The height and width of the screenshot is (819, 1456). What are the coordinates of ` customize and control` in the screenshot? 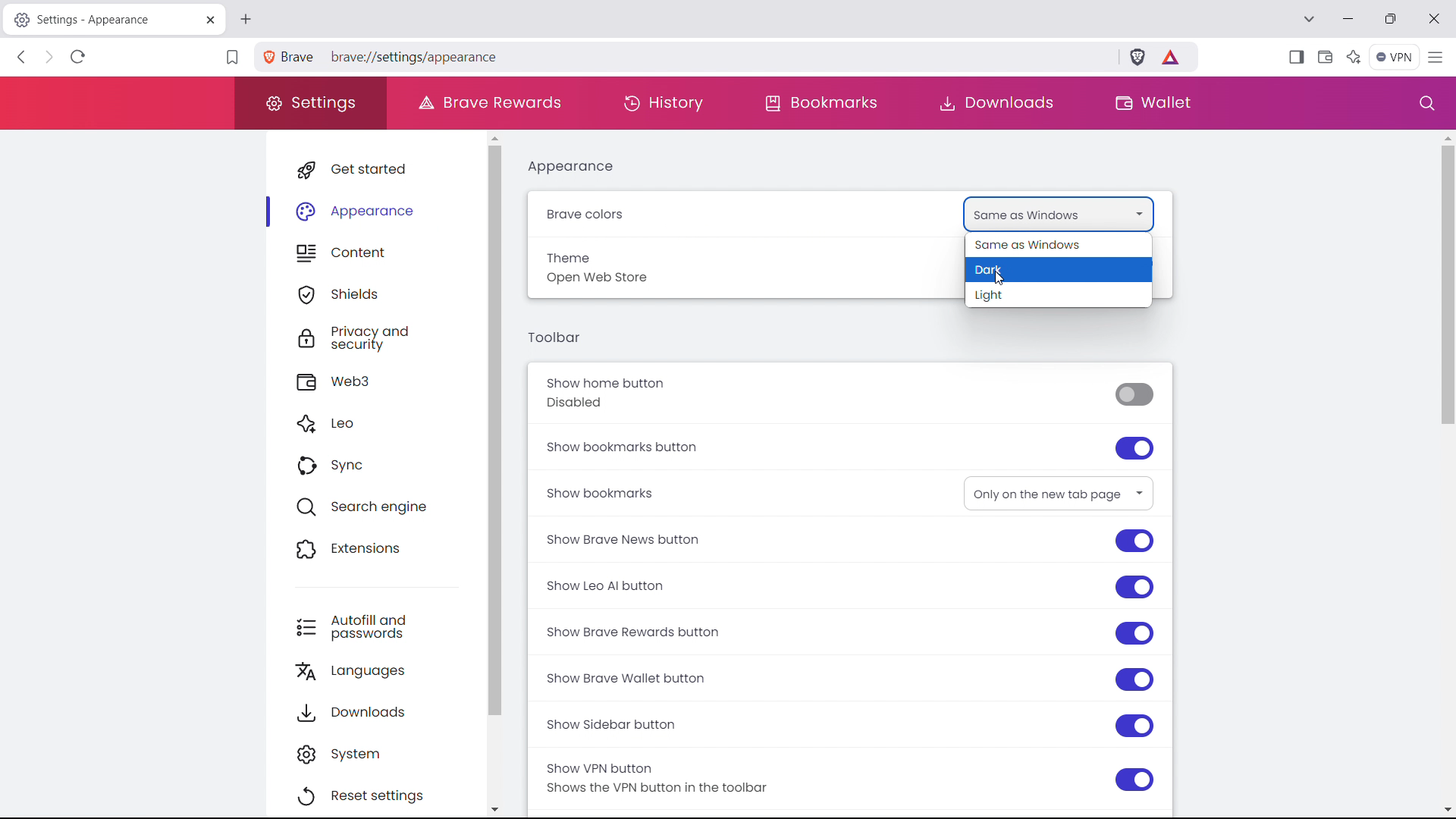 It's located at (1437, 56).